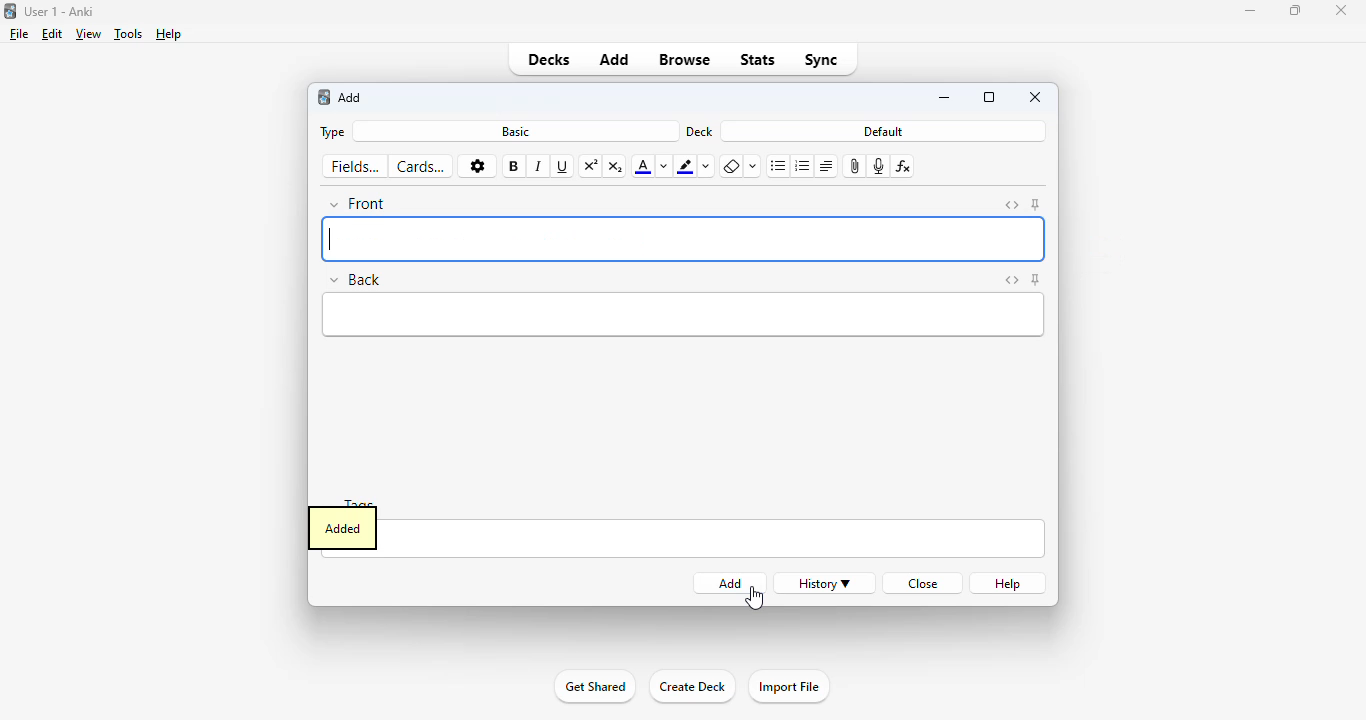 The height and width of the screenshot is (720, 1366). What do you see at coordinates (1341, 10) in the screenshot?
I see `close` at bounding box center [1341, 10].